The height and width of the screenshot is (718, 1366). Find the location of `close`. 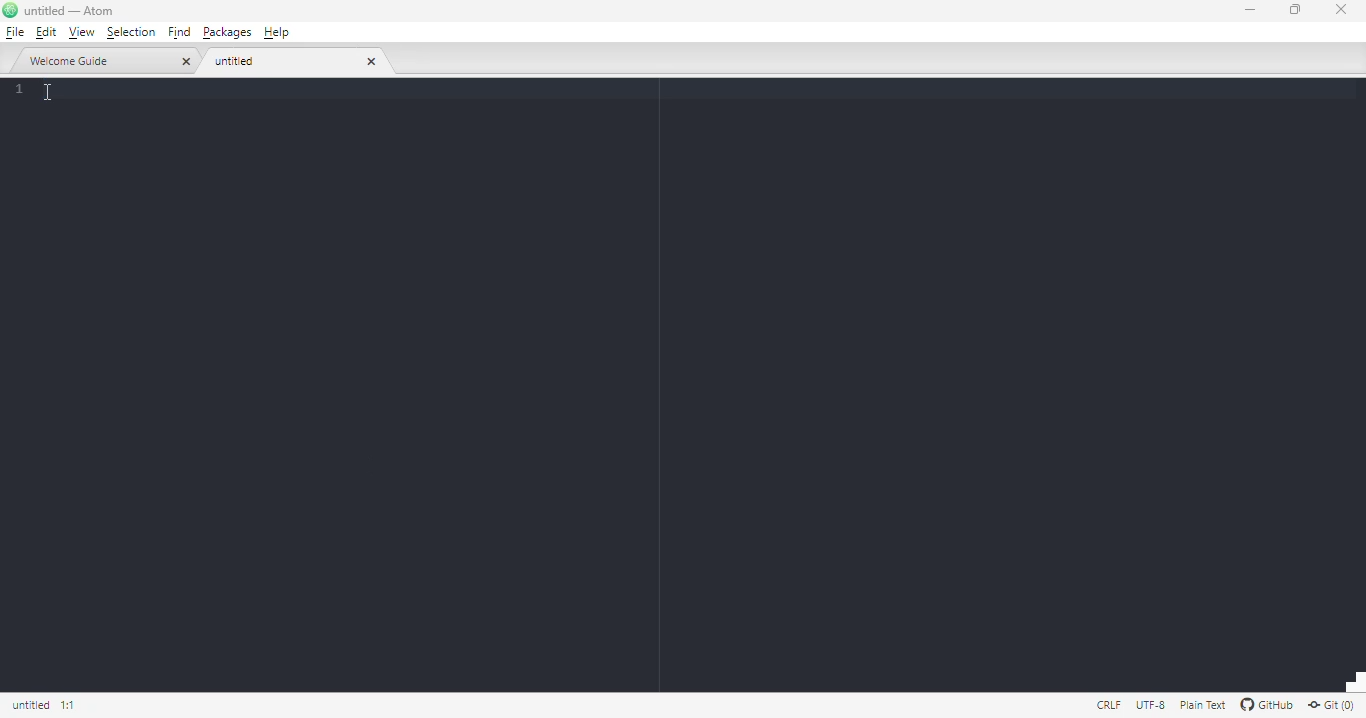

close is located at coordinates (1341, 9).